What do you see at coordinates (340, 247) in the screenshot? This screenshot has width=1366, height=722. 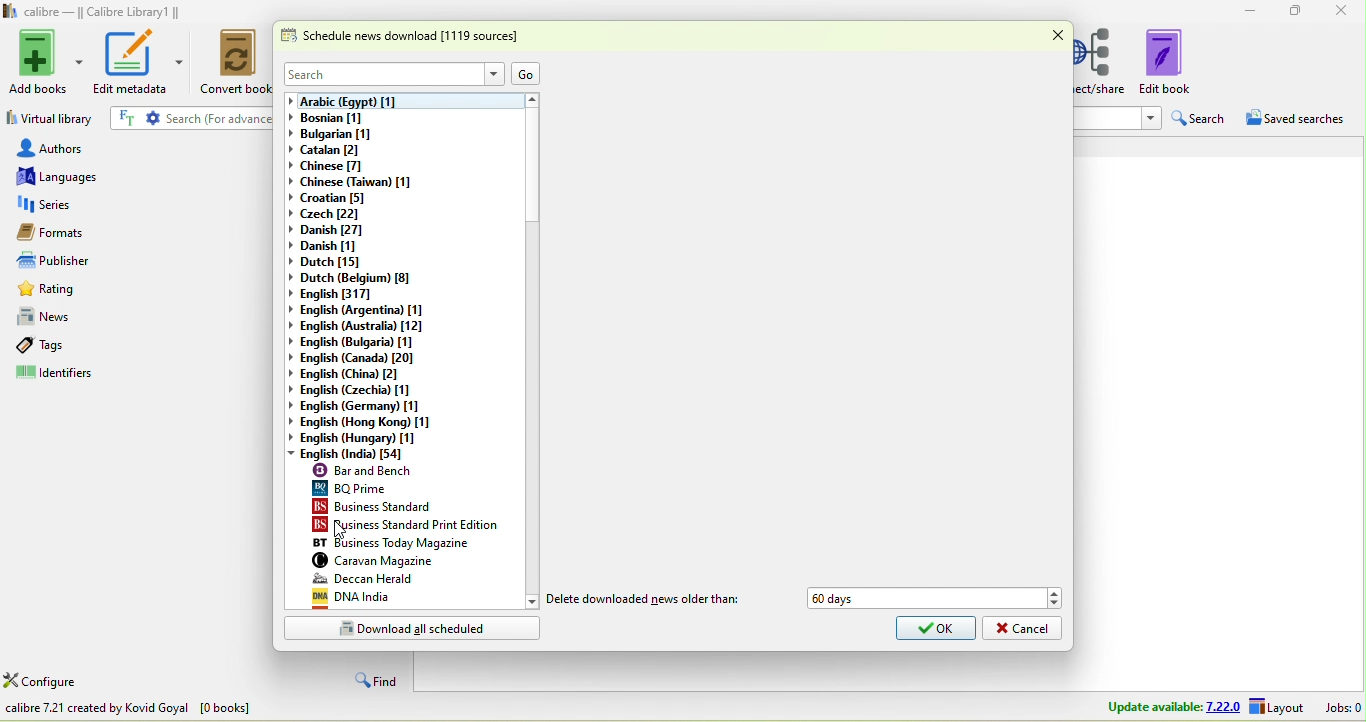 I see `danish[1]` at bounding box center [340, 247].